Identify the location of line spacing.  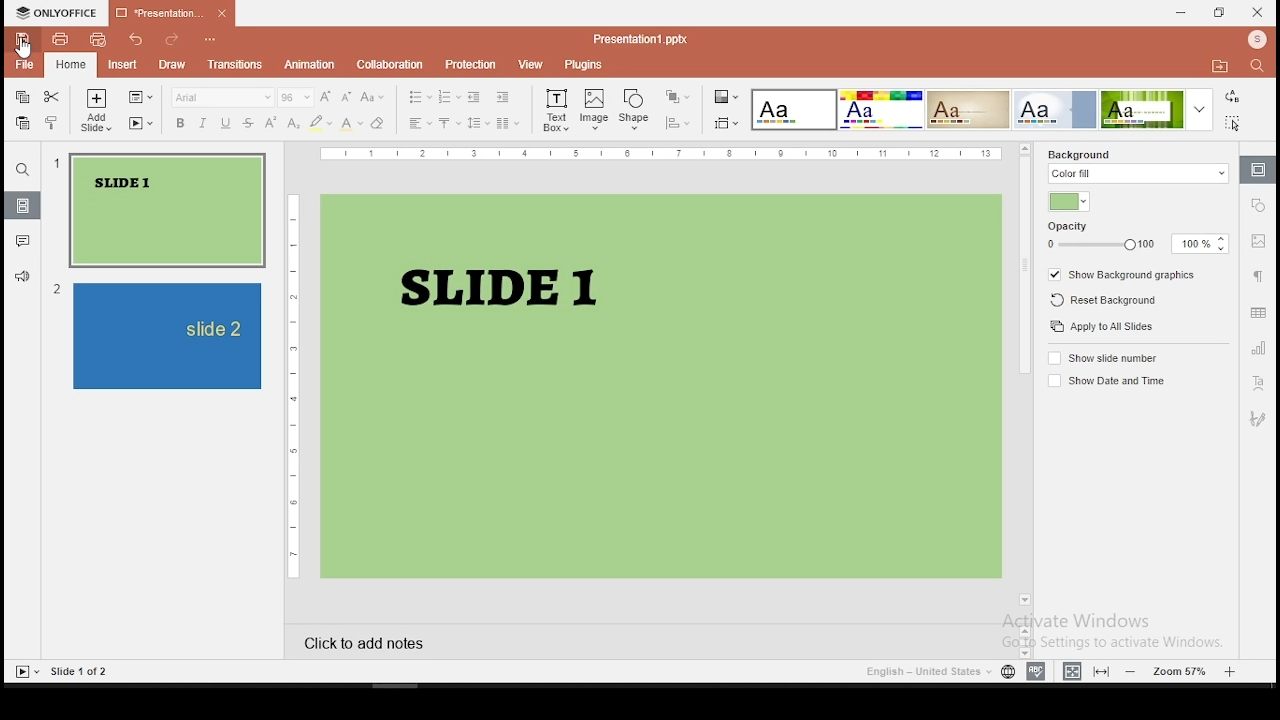
(478, 122).